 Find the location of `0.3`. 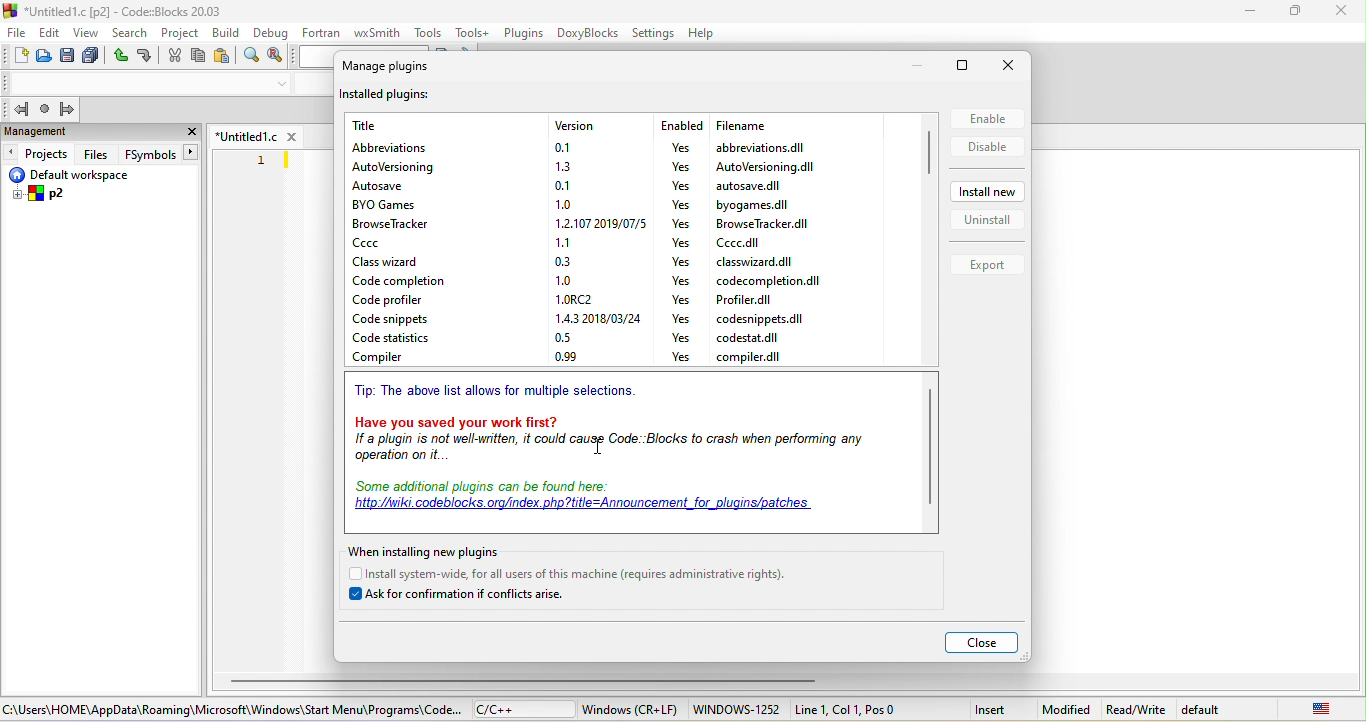

0.3 is located at coordinates (562, 260).